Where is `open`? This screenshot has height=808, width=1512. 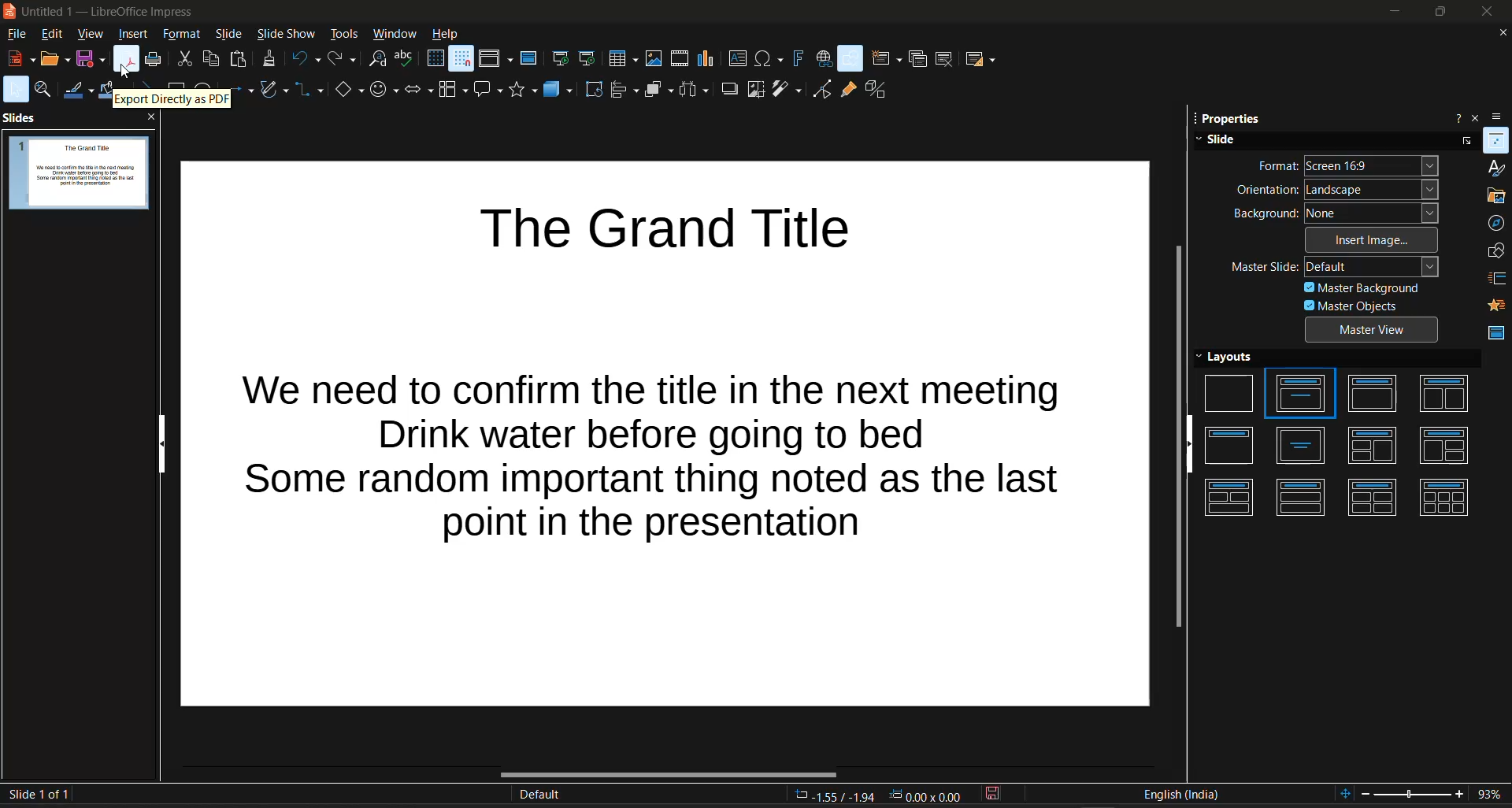 open is located at coordinates (55, 60).